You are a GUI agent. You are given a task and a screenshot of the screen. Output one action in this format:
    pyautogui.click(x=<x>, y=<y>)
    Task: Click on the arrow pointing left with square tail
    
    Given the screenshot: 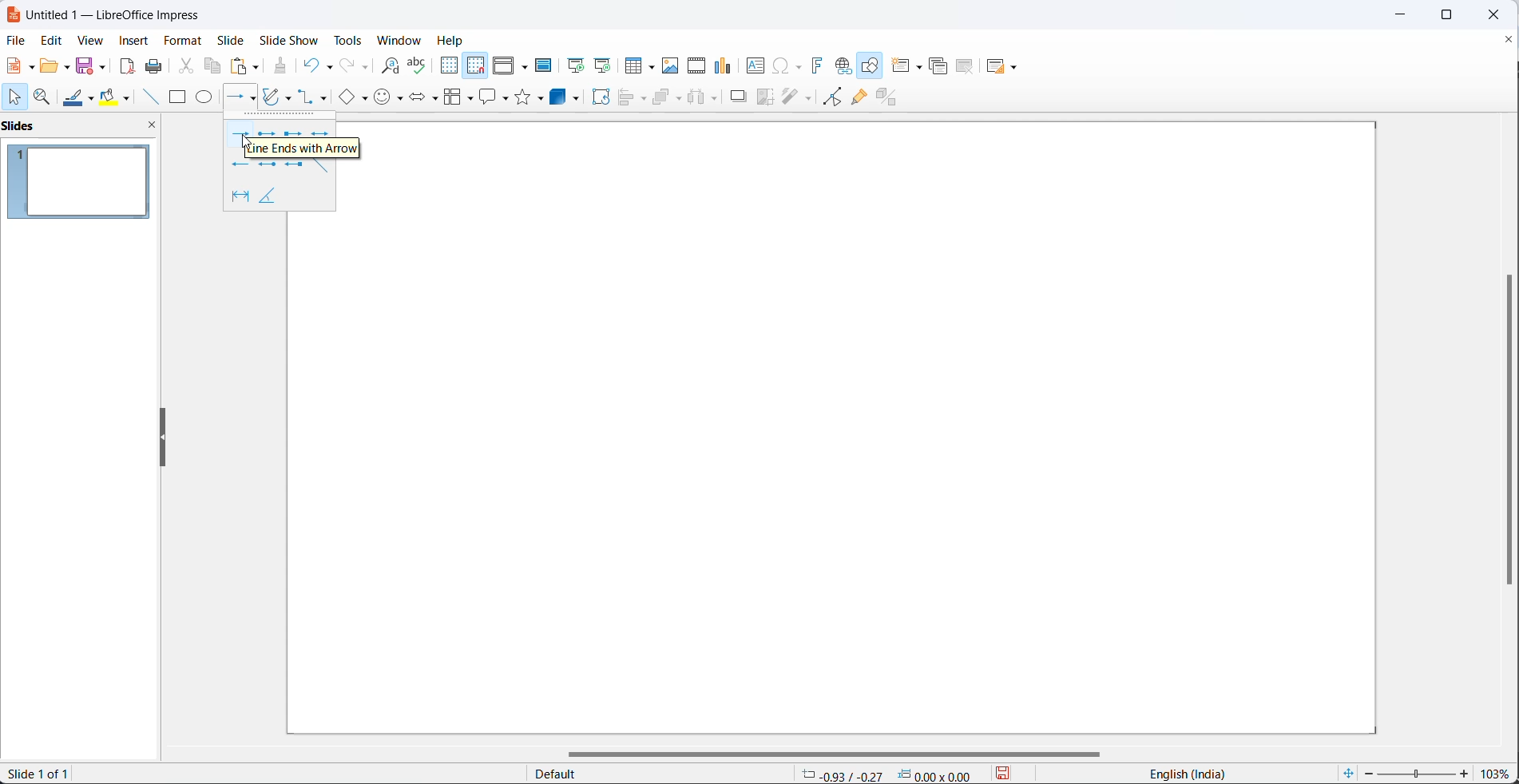 What is the action you would take?
    pyautogui.click(x=295, y=168)
    